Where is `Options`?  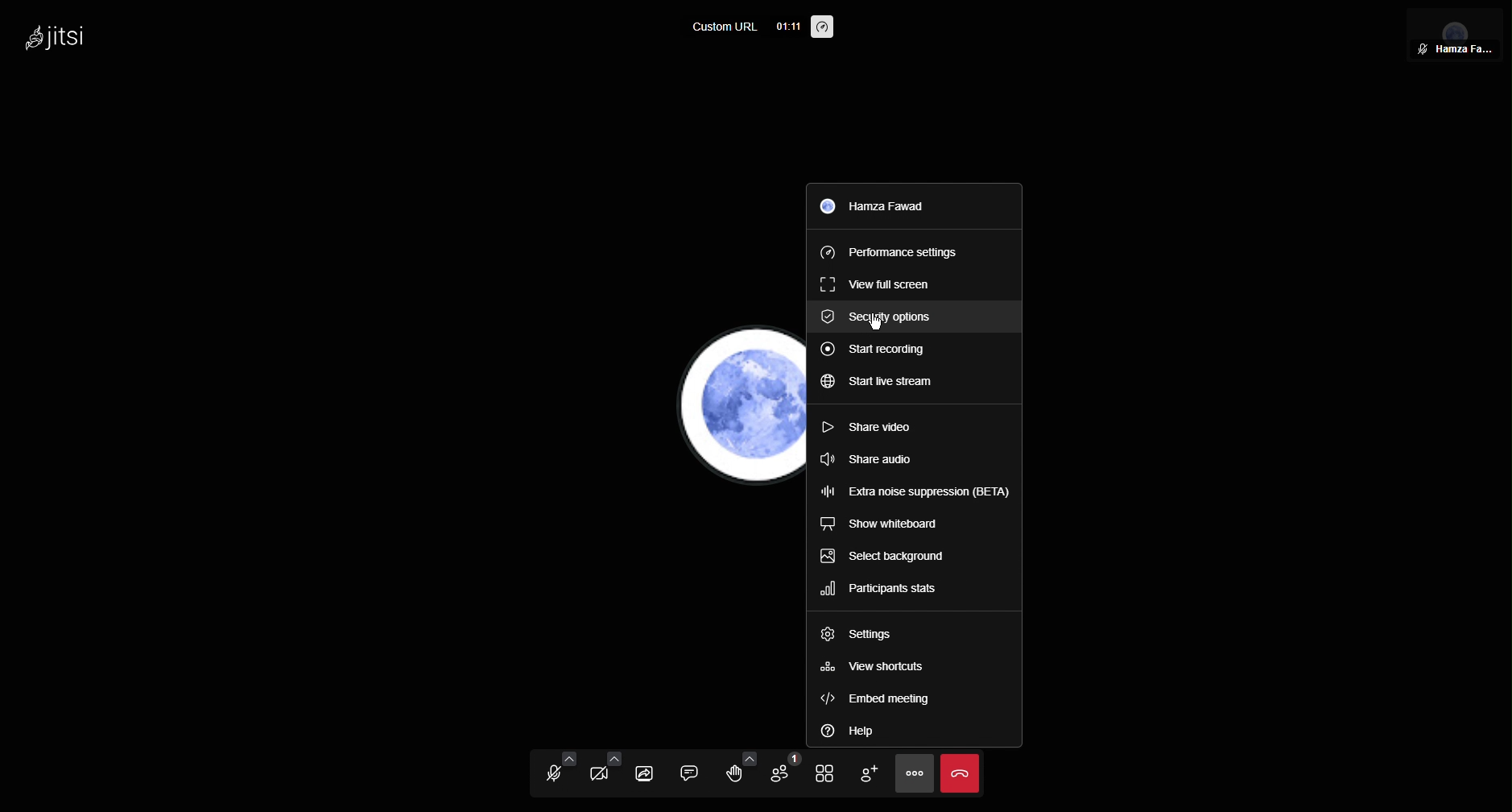 Options is located at coordinates (911, 774).